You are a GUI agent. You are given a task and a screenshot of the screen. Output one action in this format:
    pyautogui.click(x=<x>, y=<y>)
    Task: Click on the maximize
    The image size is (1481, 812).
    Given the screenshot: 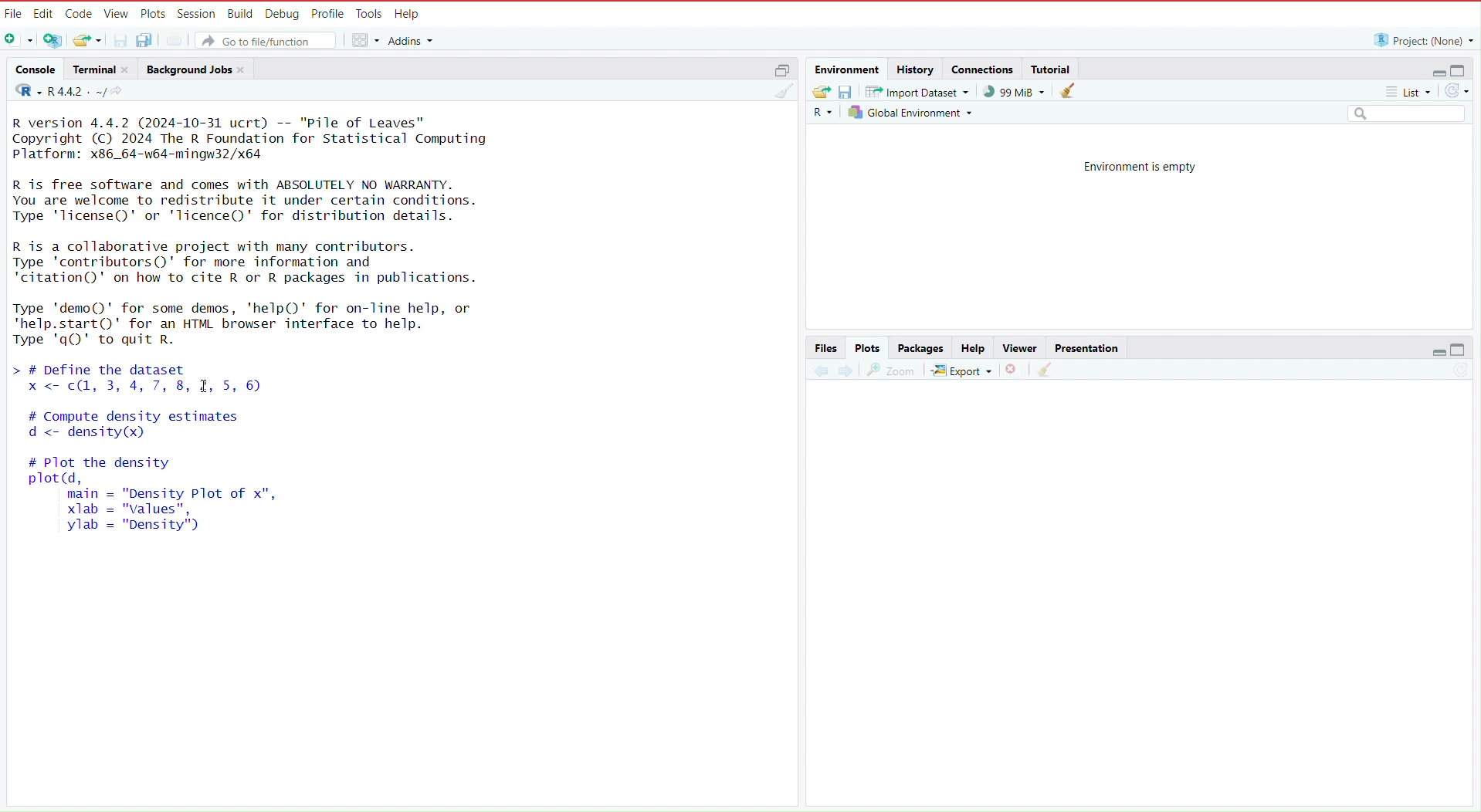 What is the action you would take?
    pyautogui.click(x=1466, y=353)
    